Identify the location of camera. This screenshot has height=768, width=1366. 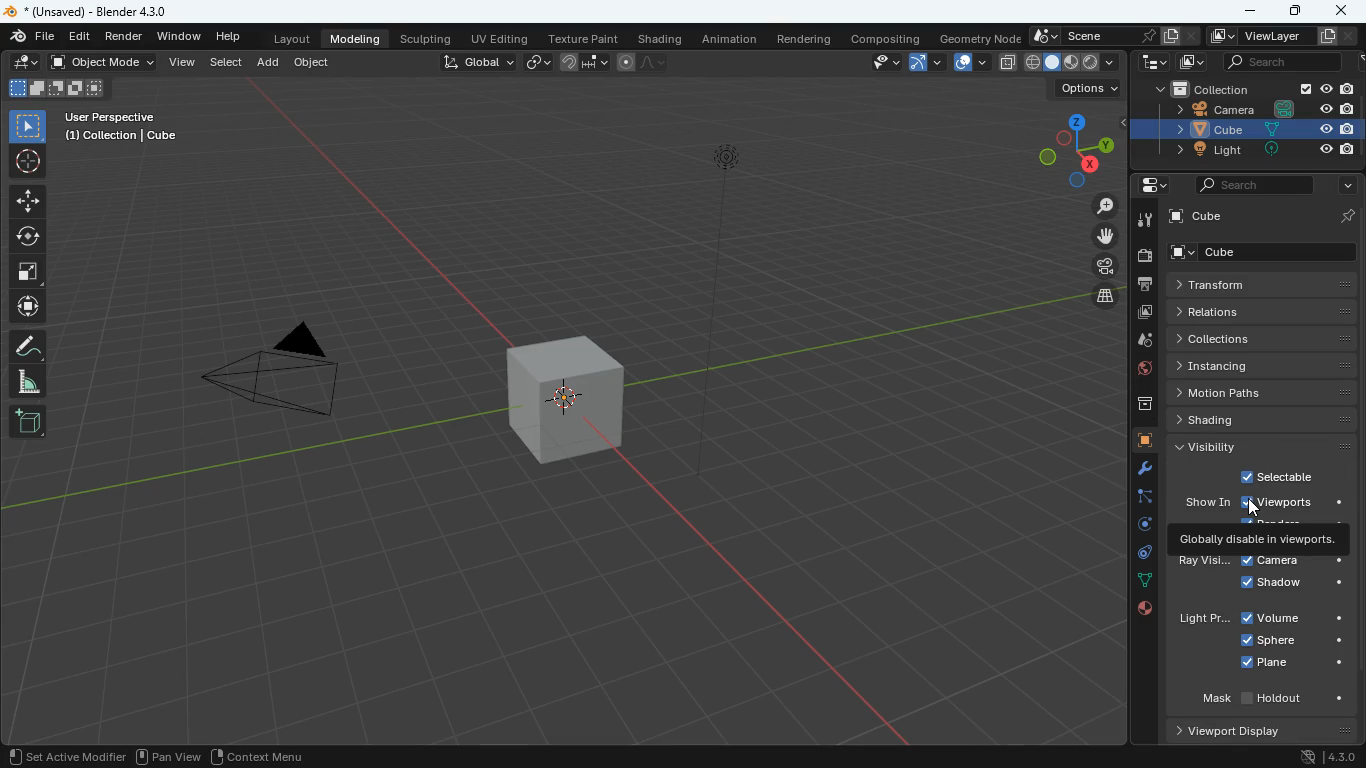
(1144, 256).